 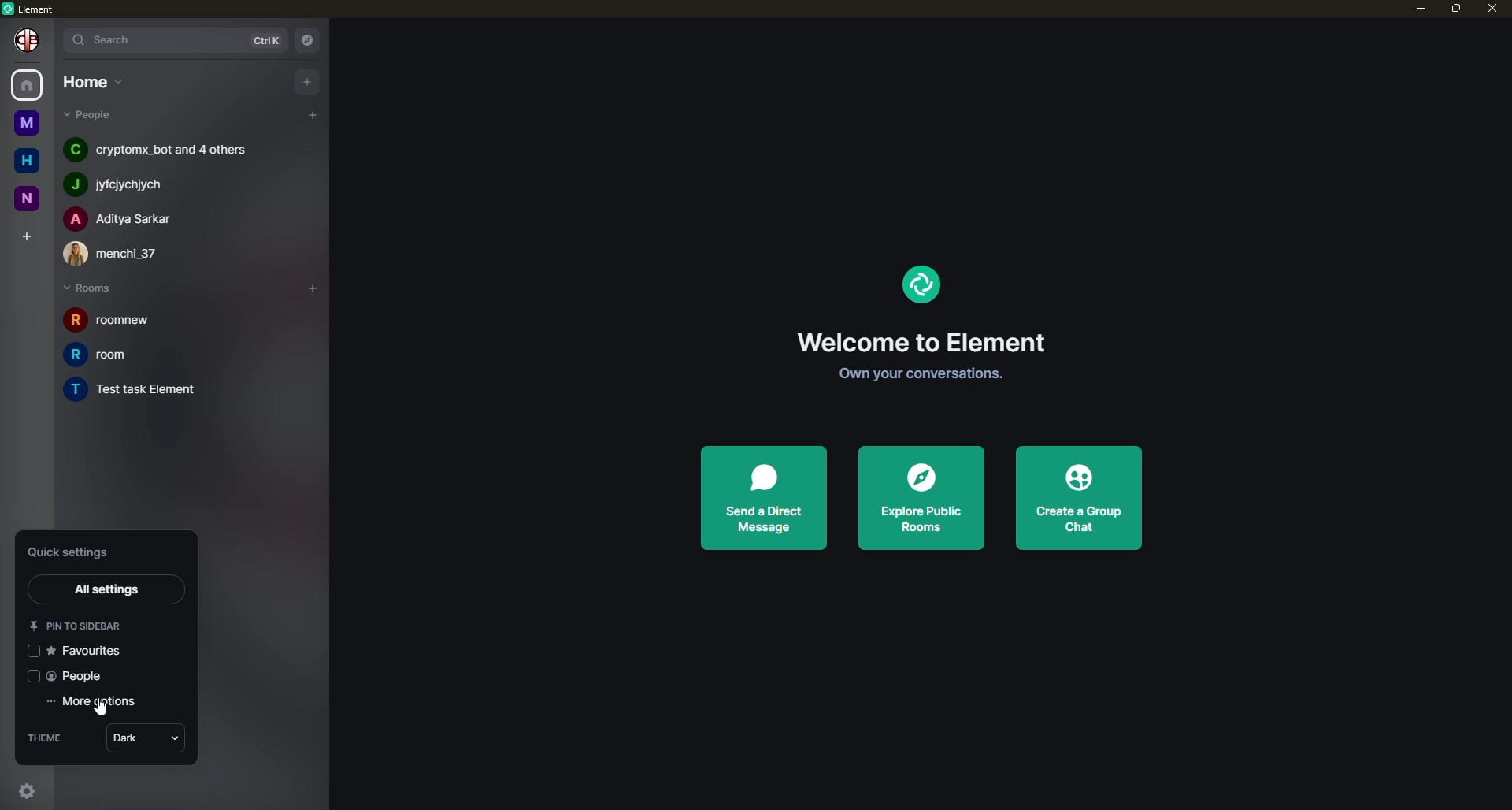 What do you see at coordinates (307, 284) in the screenshot?
I see `add` at bounding box center [307, 284].